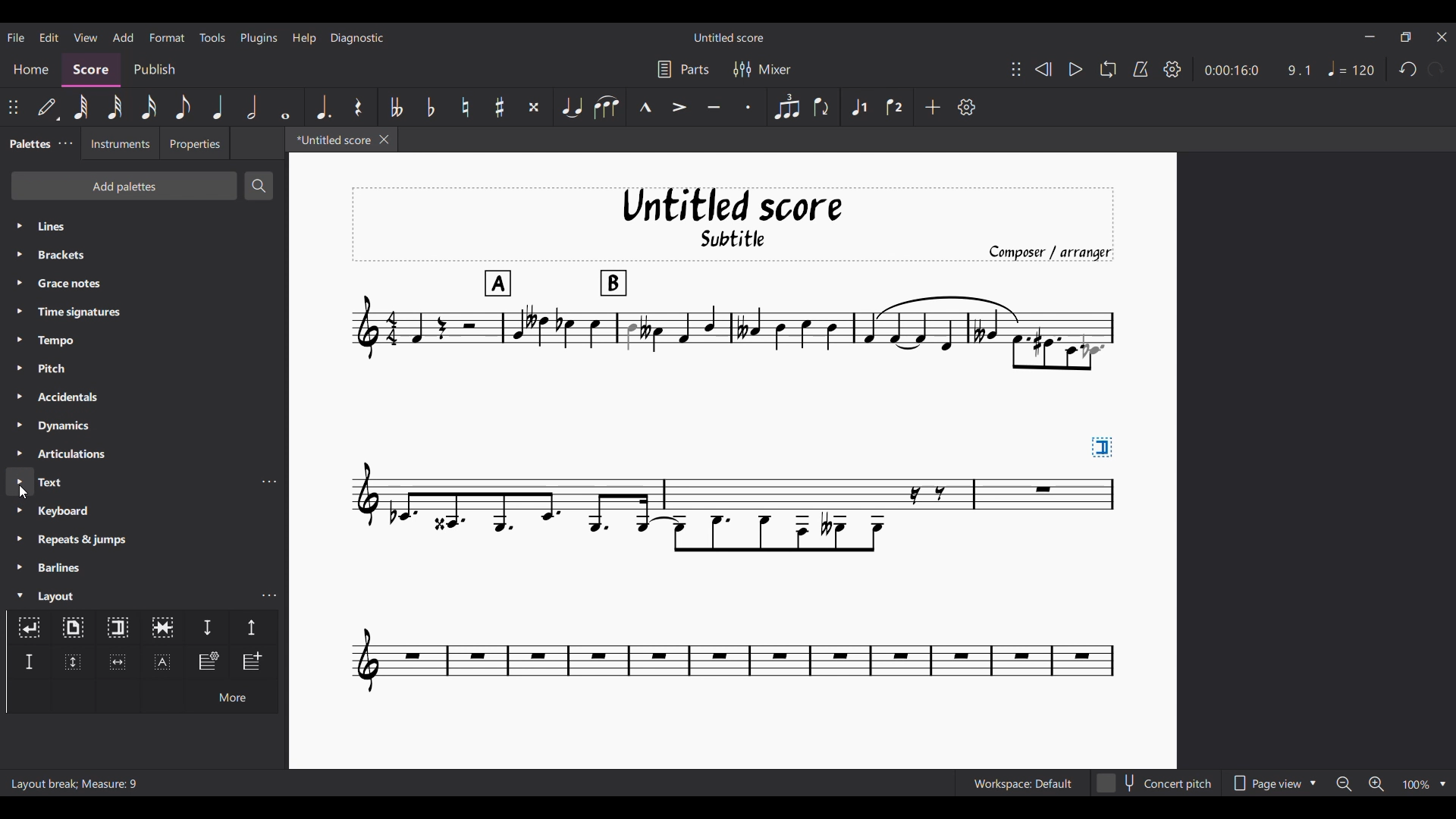 Image resolution: width=1456 pixels, height=819 pixels. What do you see at coordinates (394, 107) in the screenshot?
I see `Toggle double flat` at bounding box center [394, 107].